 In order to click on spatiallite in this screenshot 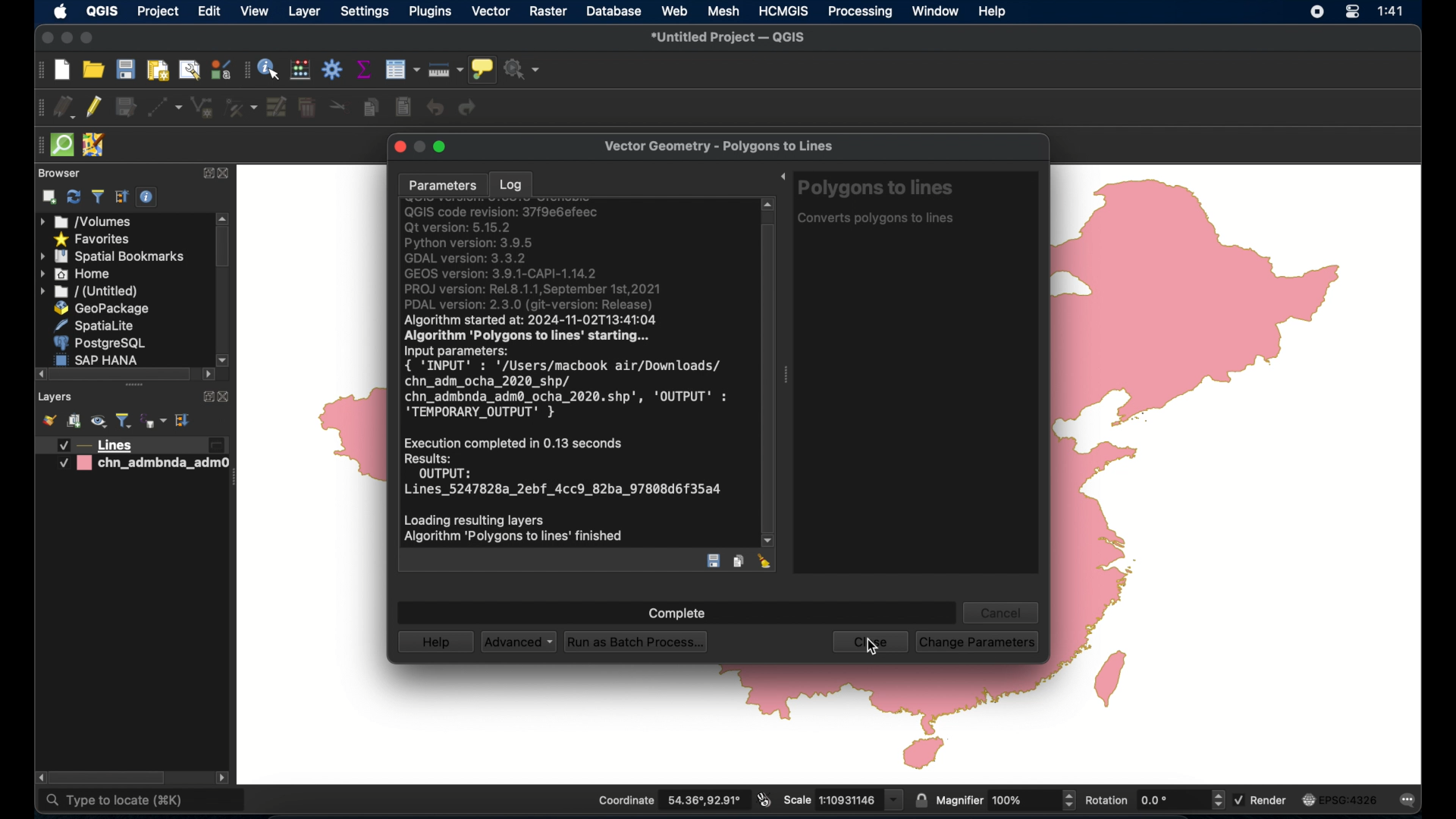, I will do `click(93, 325)`.